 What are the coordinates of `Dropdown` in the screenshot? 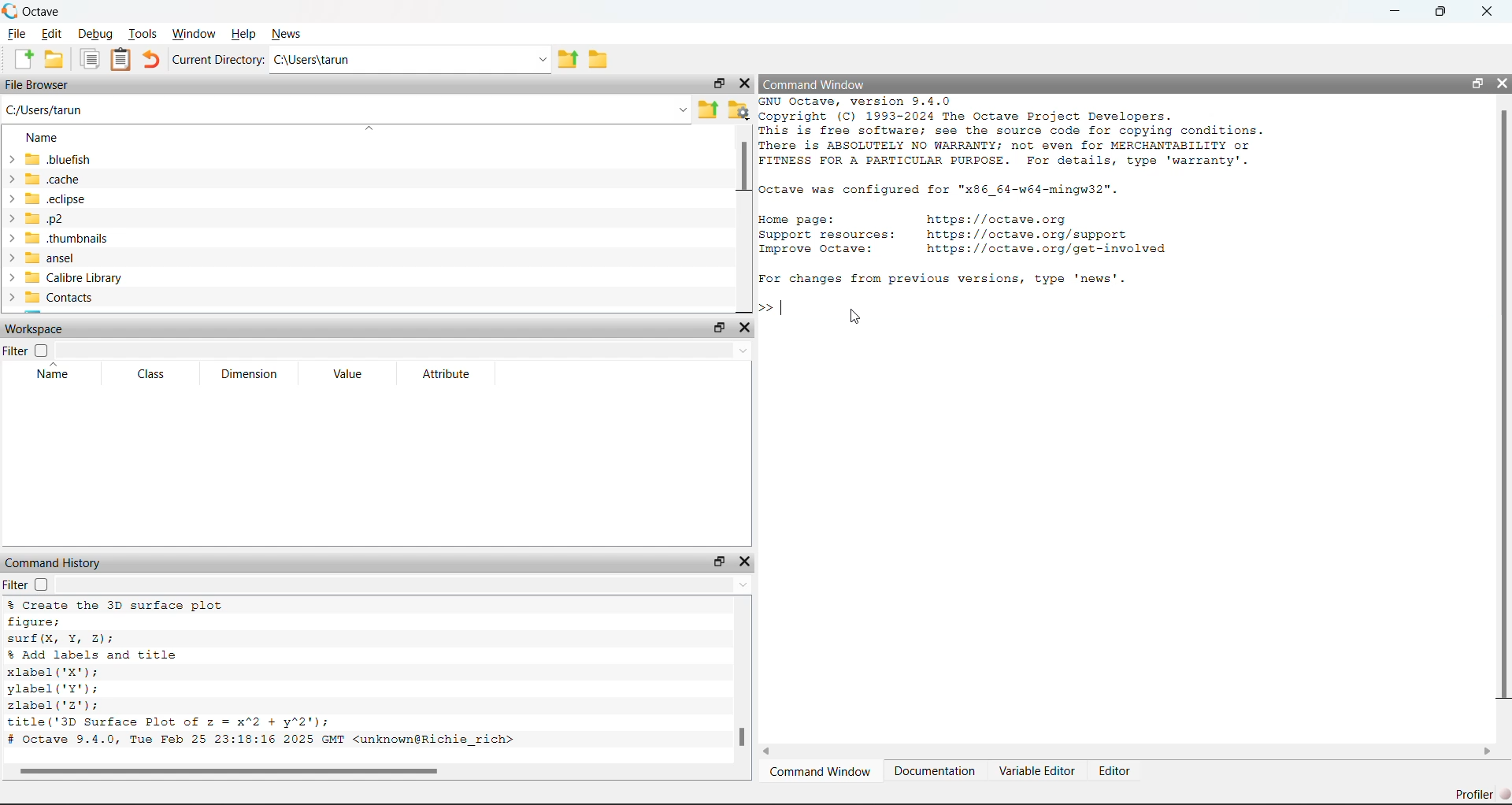 It's located at (404, 349).